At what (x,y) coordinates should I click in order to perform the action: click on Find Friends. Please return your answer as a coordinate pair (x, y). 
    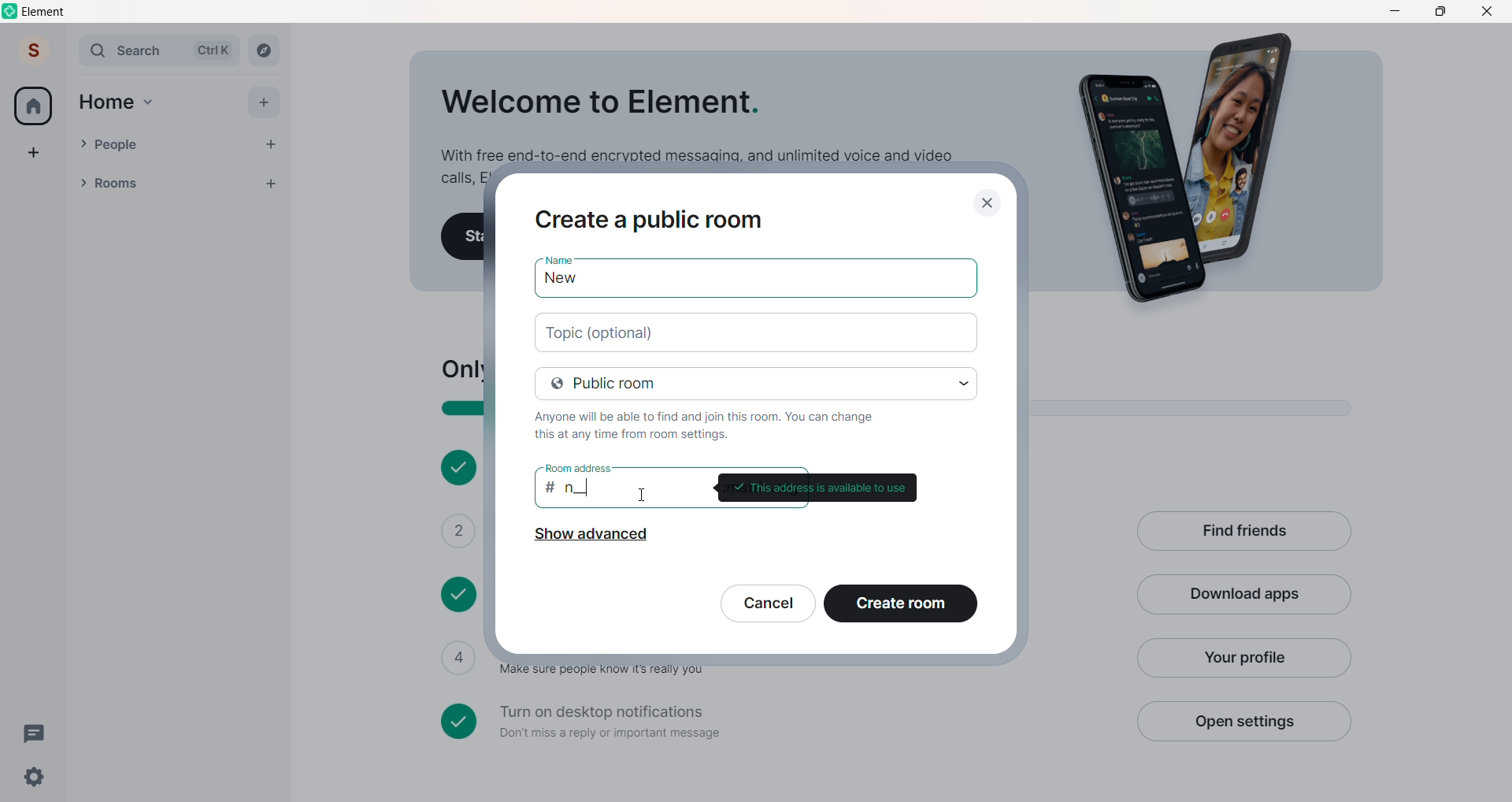
    Looking at the image, I should click on (1243, 533).